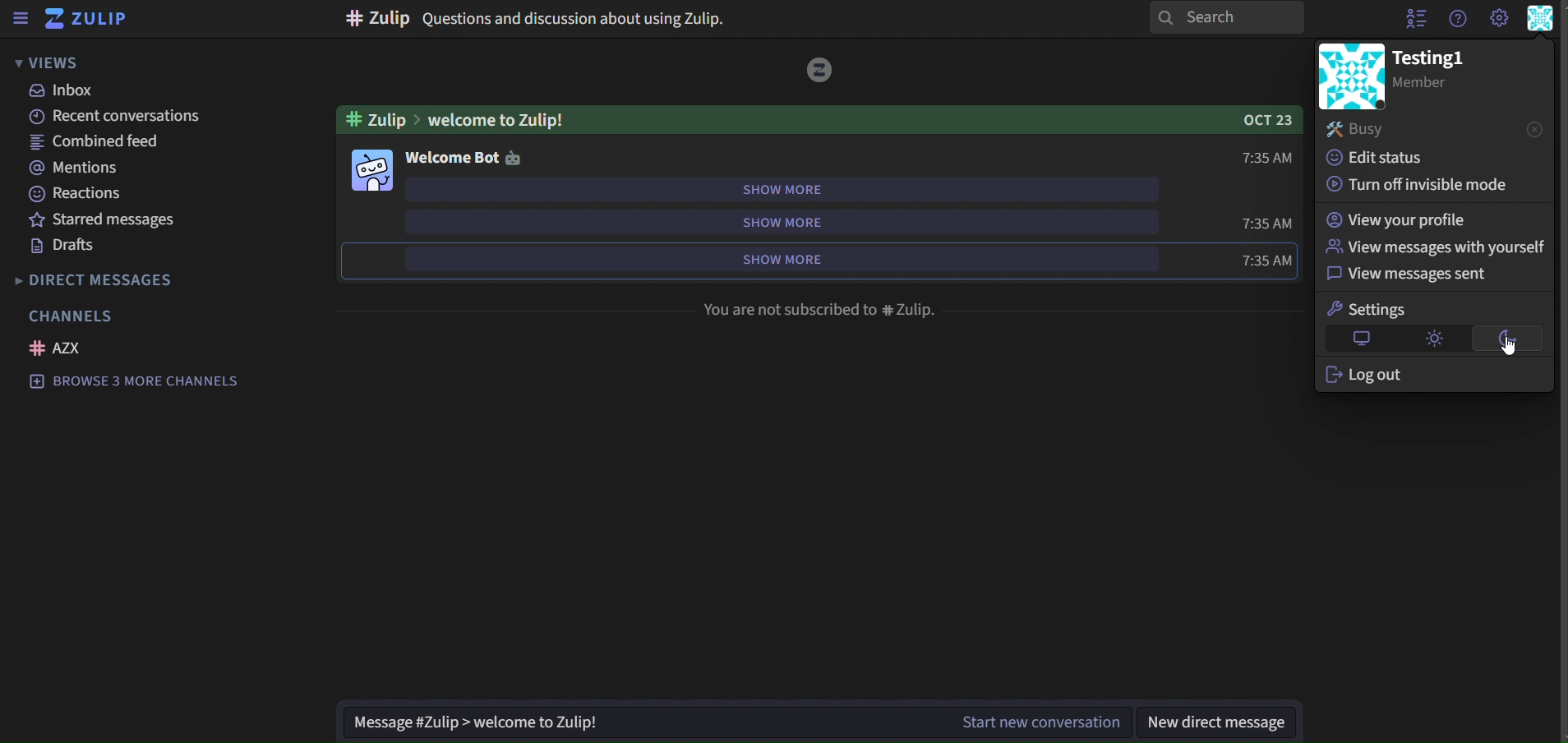 The width and height of the screenshot is (1568, 743). I want to click on starred messages, so click(105, 220).